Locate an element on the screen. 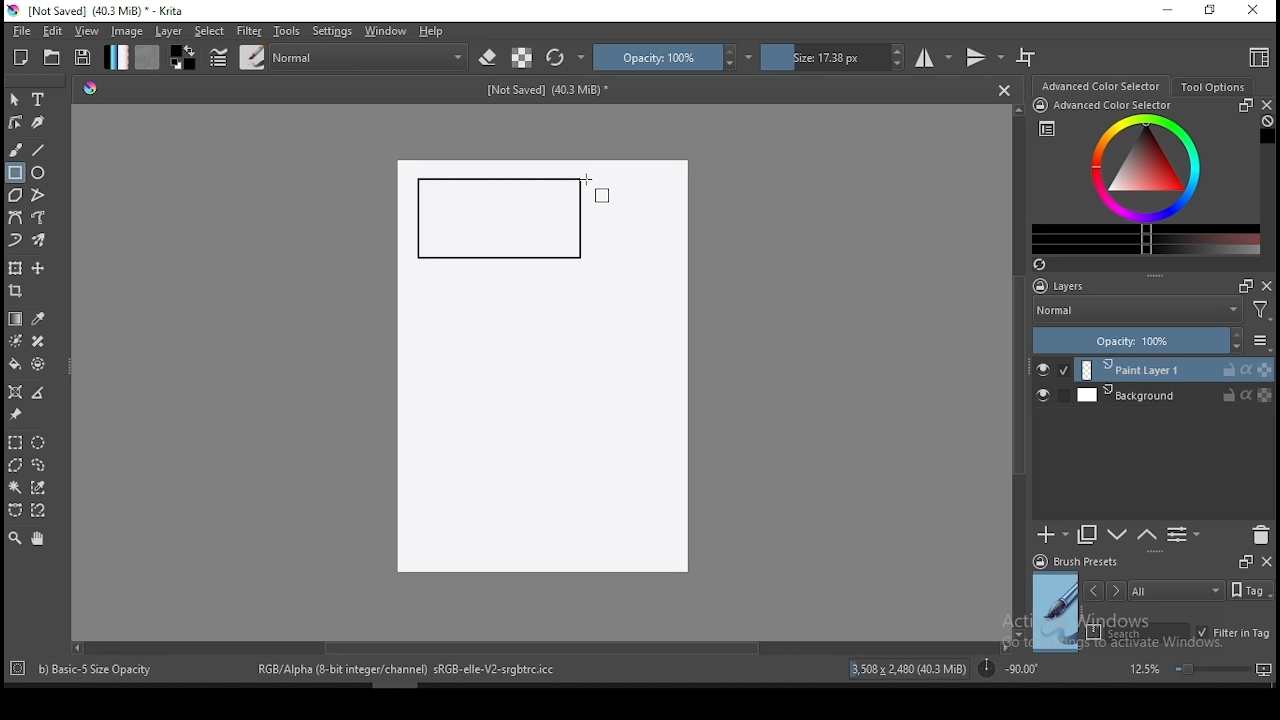 Image resolution: width=1280 pixels, height=720 pixels. transform a layer or a selection is located at coordinates (15, 267).